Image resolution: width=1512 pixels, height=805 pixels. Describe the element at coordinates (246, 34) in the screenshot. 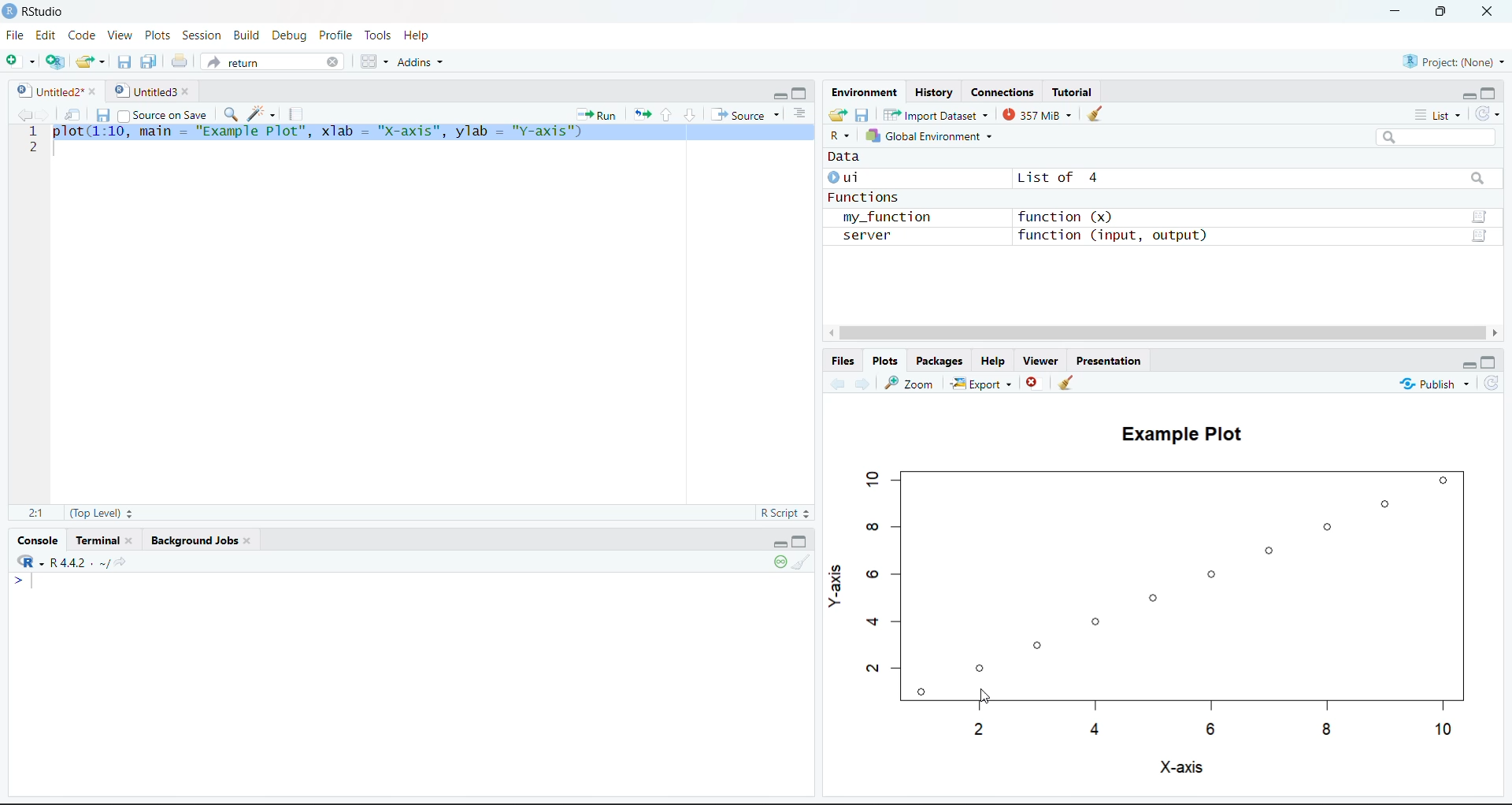

I see `Build` at that location.